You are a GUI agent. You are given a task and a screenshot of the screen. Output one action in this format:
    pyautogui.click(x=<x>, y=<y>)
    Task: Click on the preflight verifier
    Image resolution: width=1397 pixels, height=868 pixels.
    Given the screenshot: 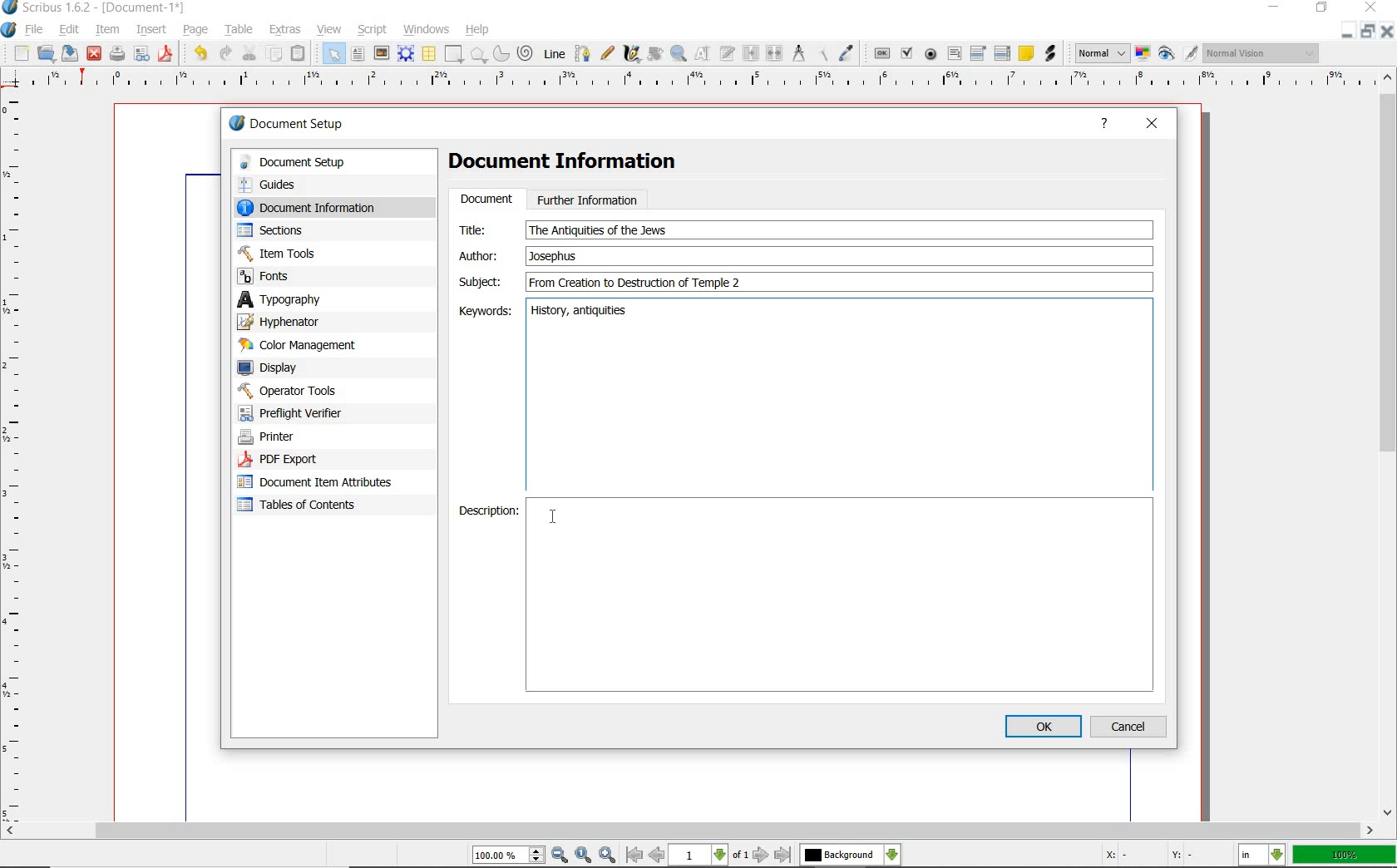 What is the action you would take?
    pyautogui.click(x=141, y=55)
    